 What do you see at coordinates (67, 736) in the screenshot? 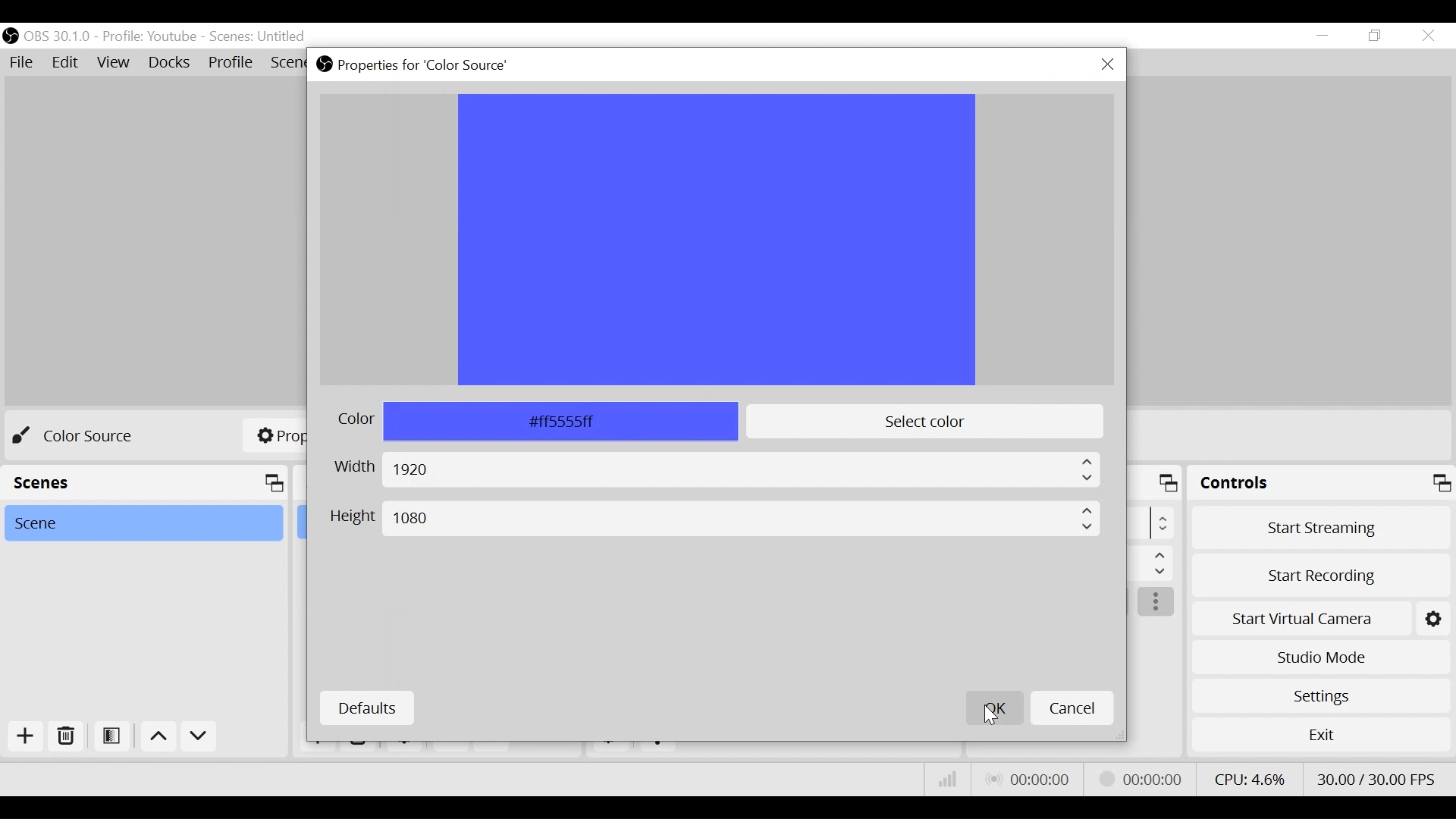
I see `Delete` at bounding box center [67, 736].